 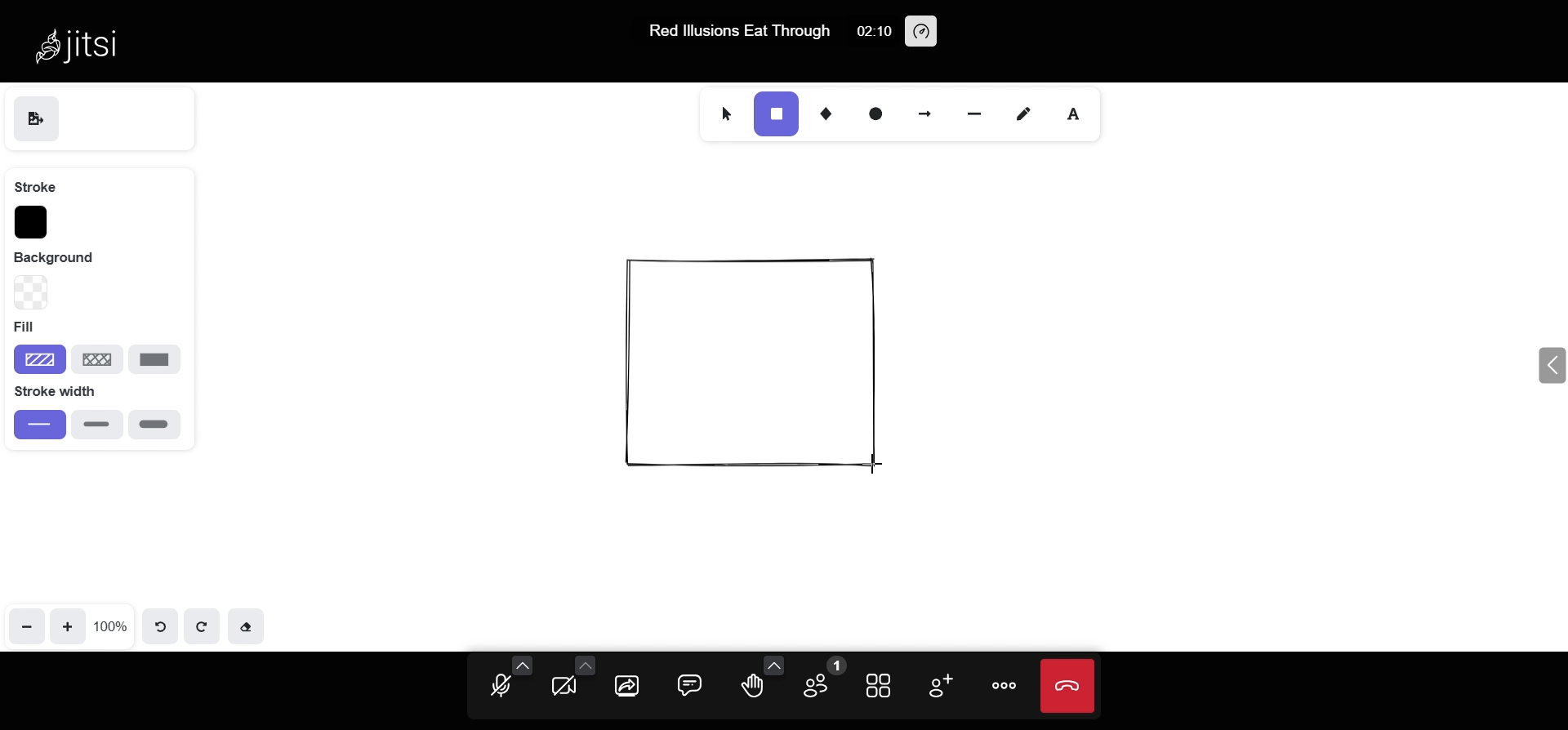 What do you see at coordinates (584, 664) in the screenshot?
I see `more camera options` at bounding box center [584, 664].